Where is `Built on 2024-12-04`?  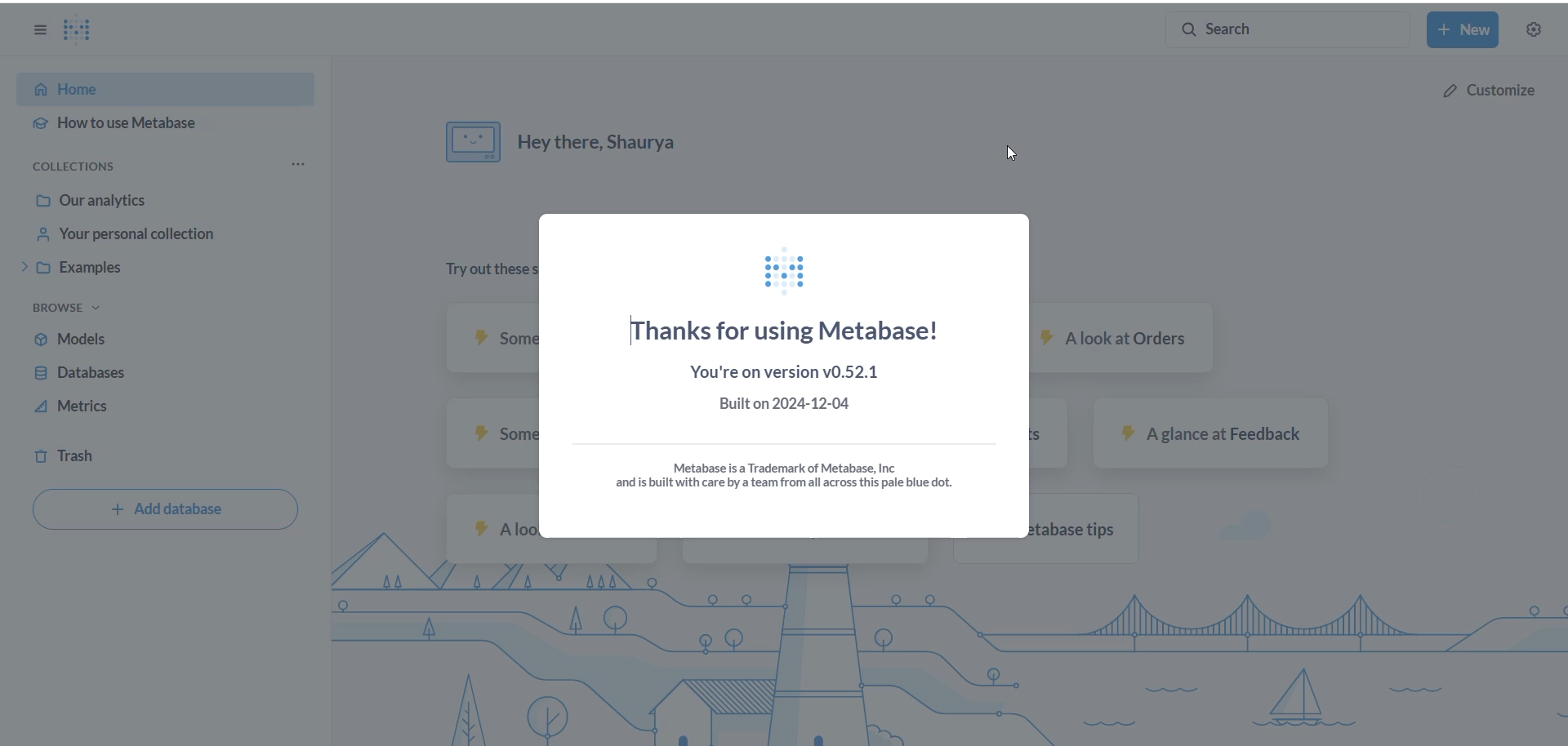 Built on 2024-12-04 is located at coordinates (786, 406).